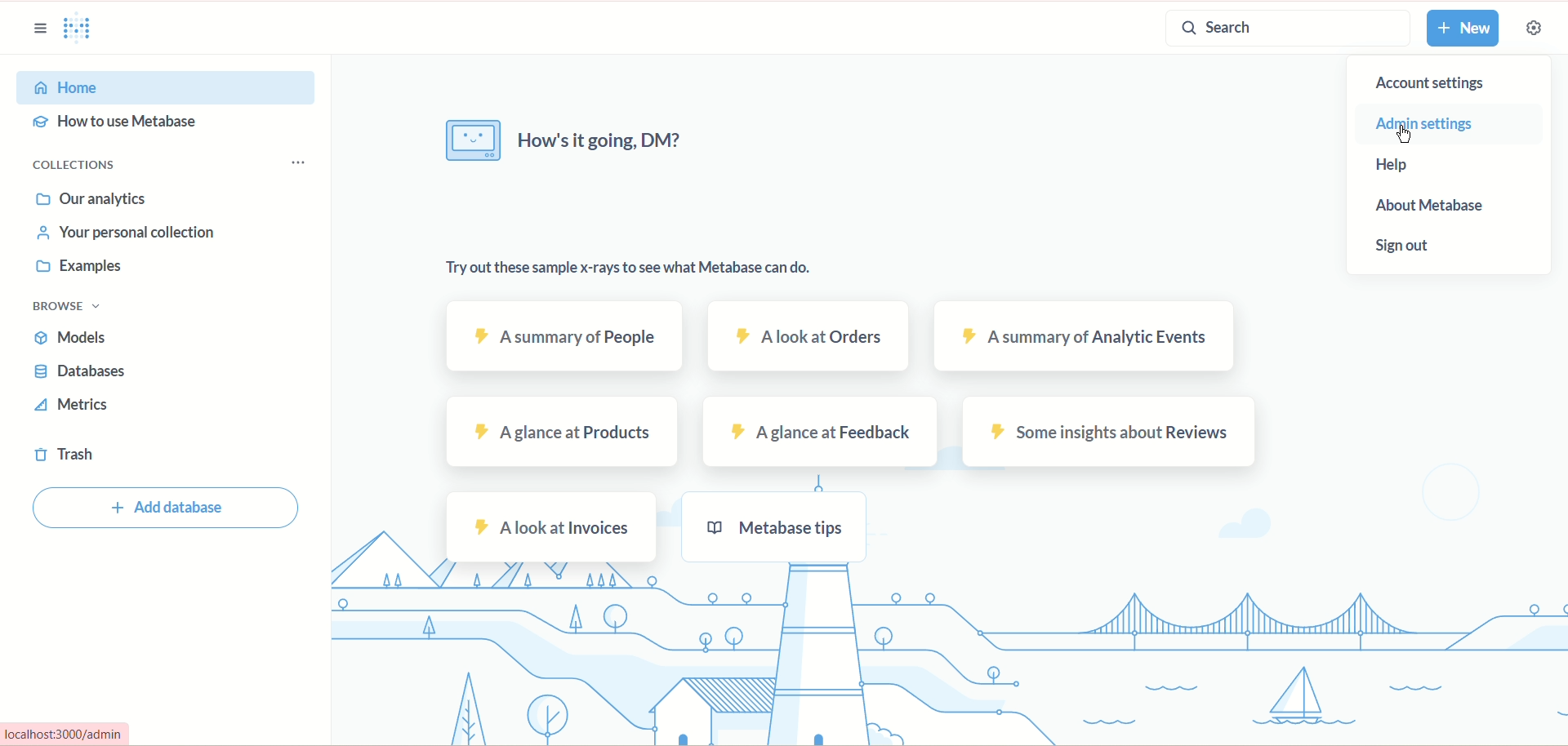 Image resolution: width=1568 pixels, height=746 pixels. What do you see at coordinates (38, 29) in the screenshot?
I see `sidebar` at bounding box center [38, 29].